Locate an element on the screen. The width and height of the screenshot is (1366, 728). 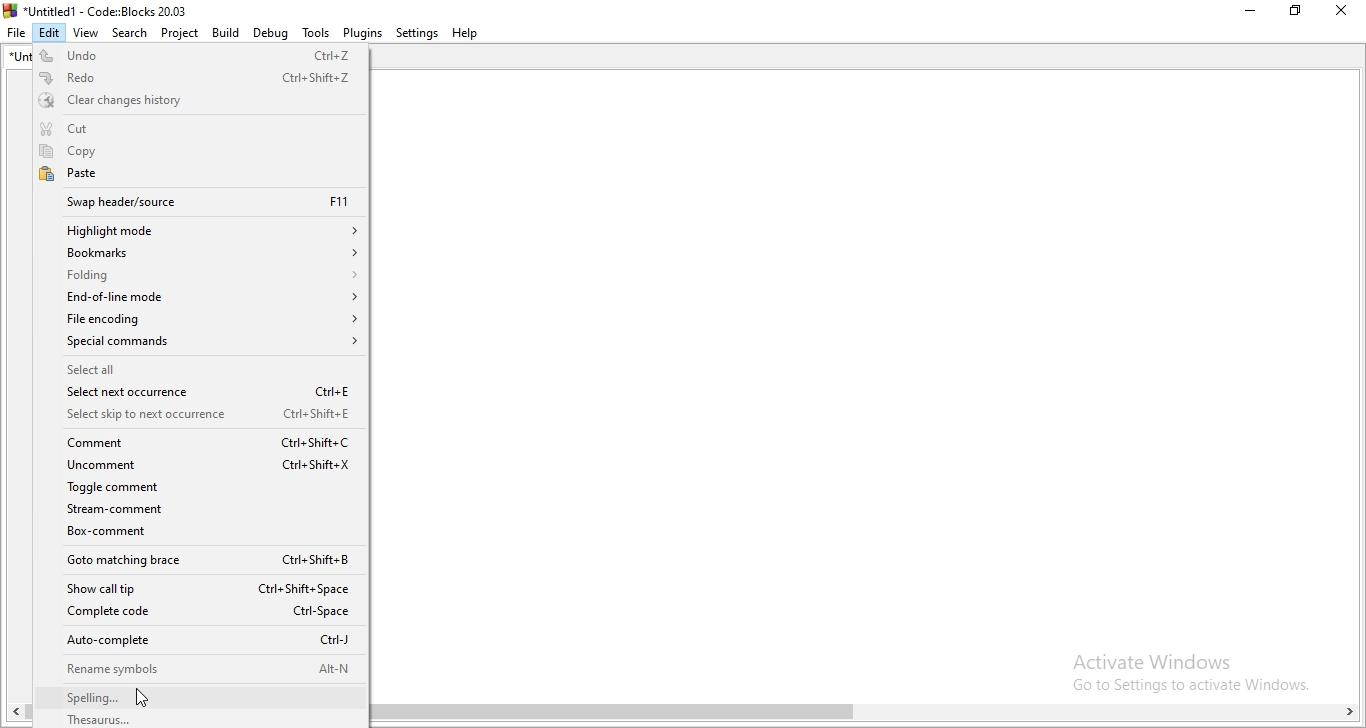
Cut is located at coordinates (199, 128).